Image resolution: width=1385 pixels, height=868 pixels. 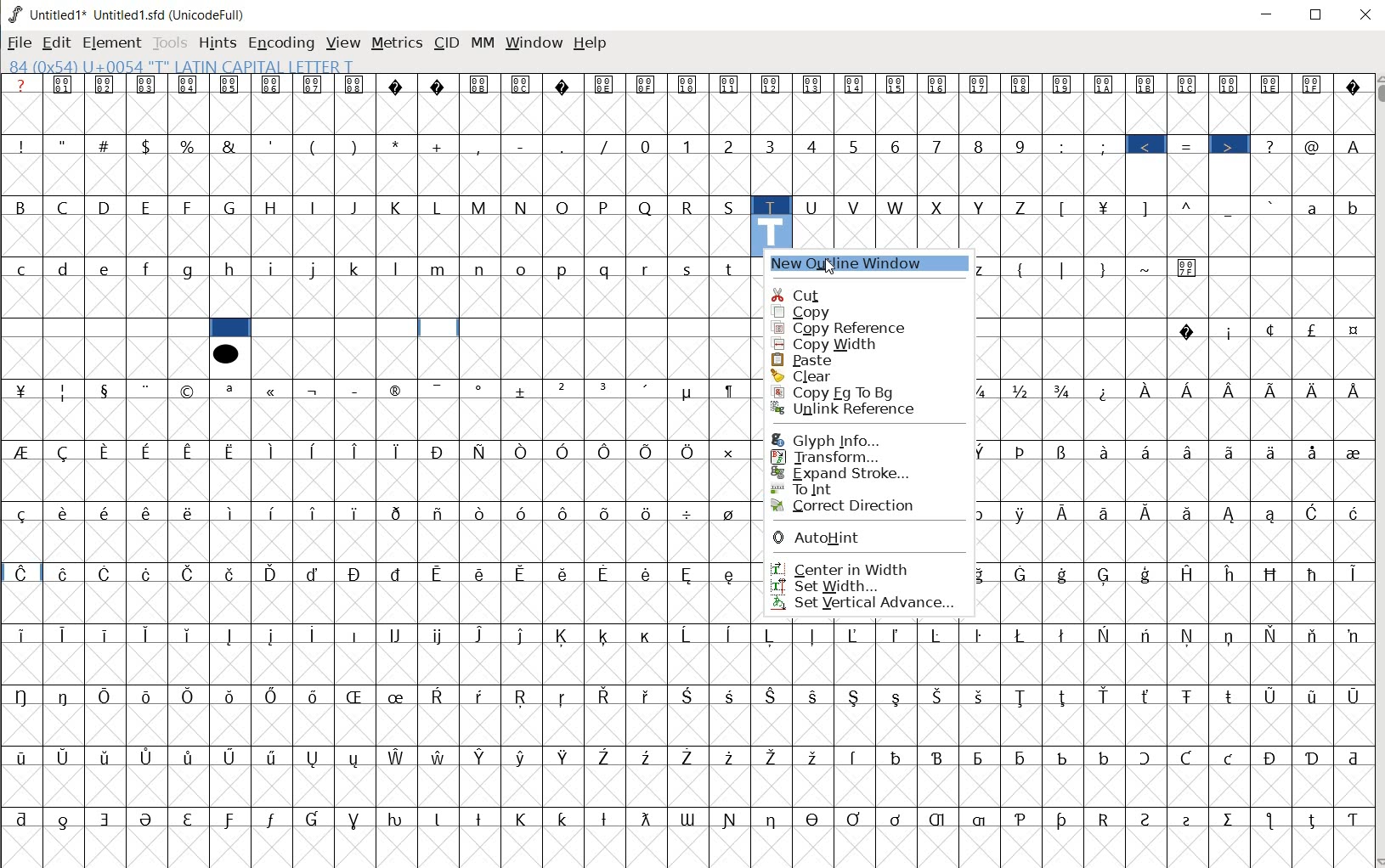 I want to click on Symbol, so click(x=270, y=819).